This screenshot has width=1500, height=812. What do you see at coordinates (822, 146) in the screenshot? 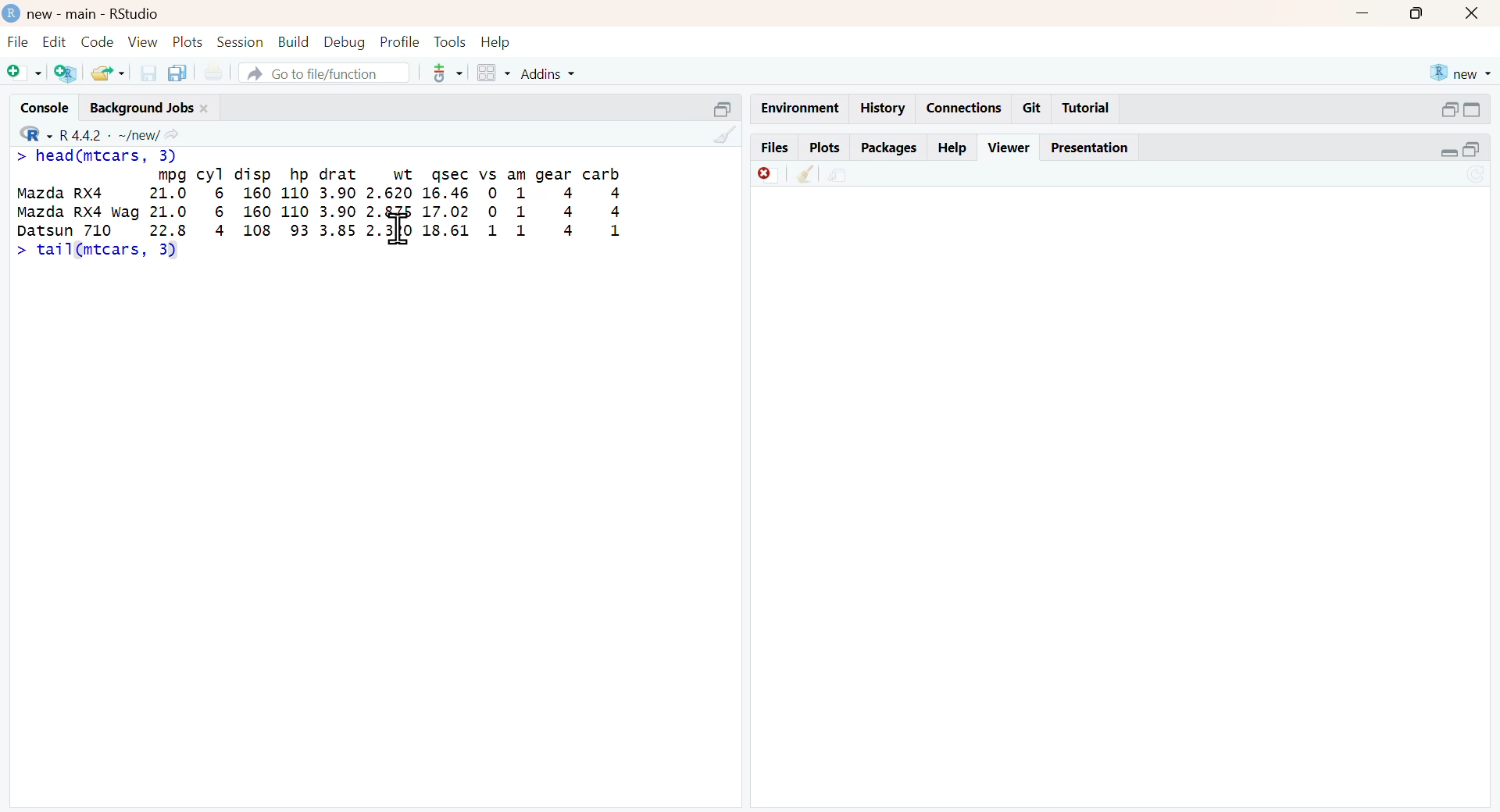
I see `Plots` at bounding box center [822, 146].